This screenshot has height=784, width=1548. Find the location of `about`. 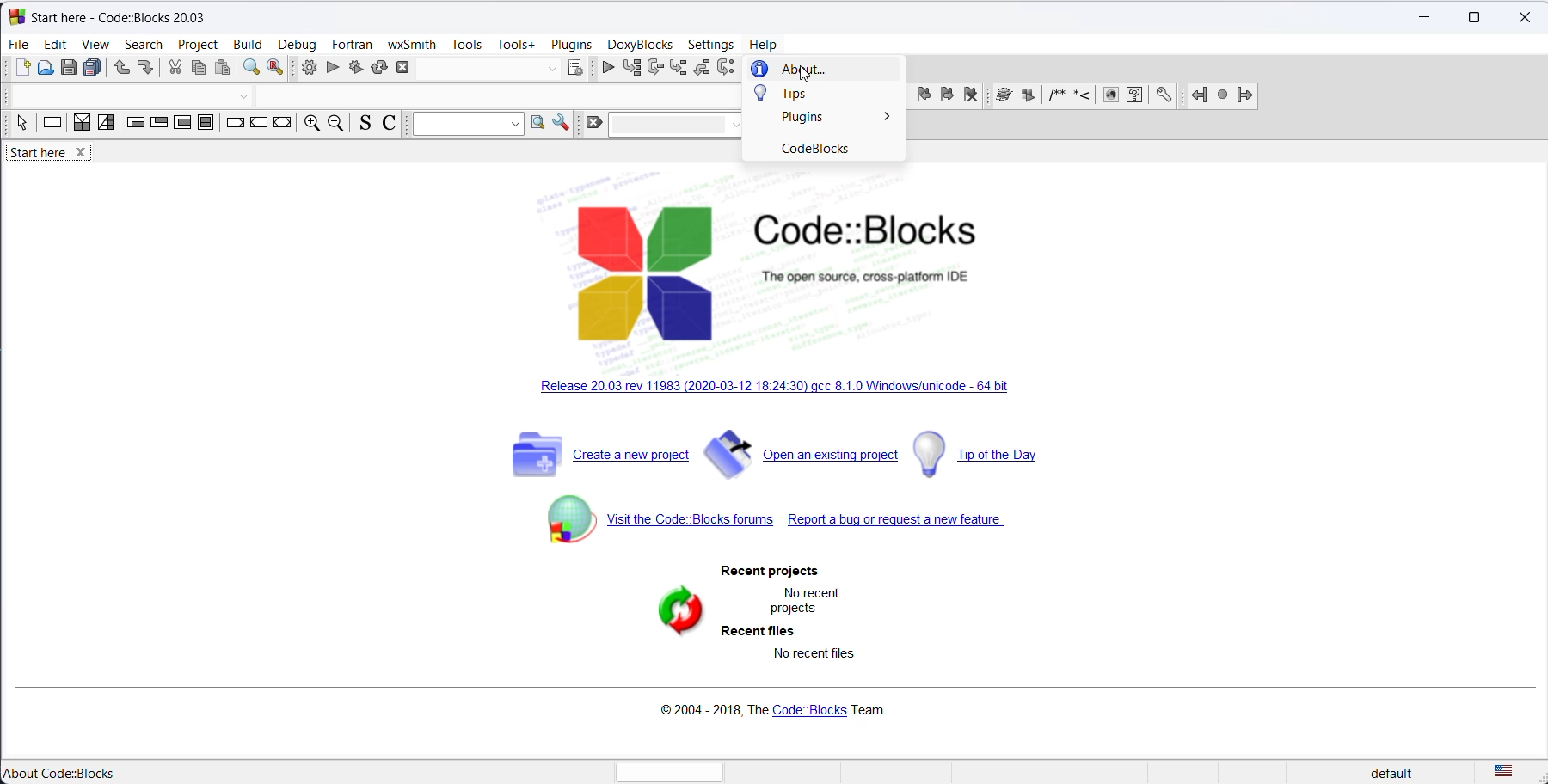

about is located at coordinates (824, 68).